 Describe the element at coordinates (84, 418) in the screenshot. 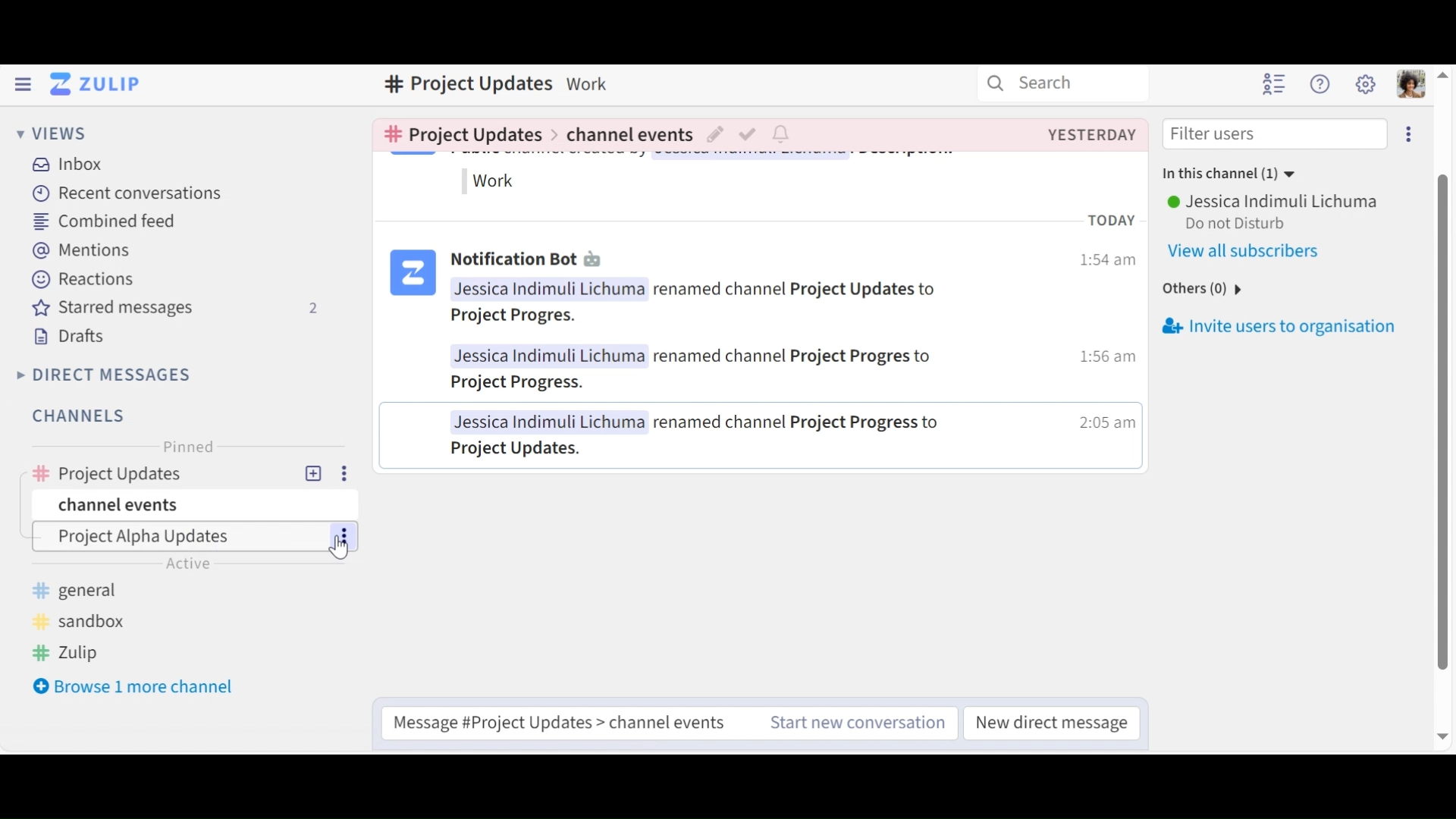

I see `Channels` at that location.